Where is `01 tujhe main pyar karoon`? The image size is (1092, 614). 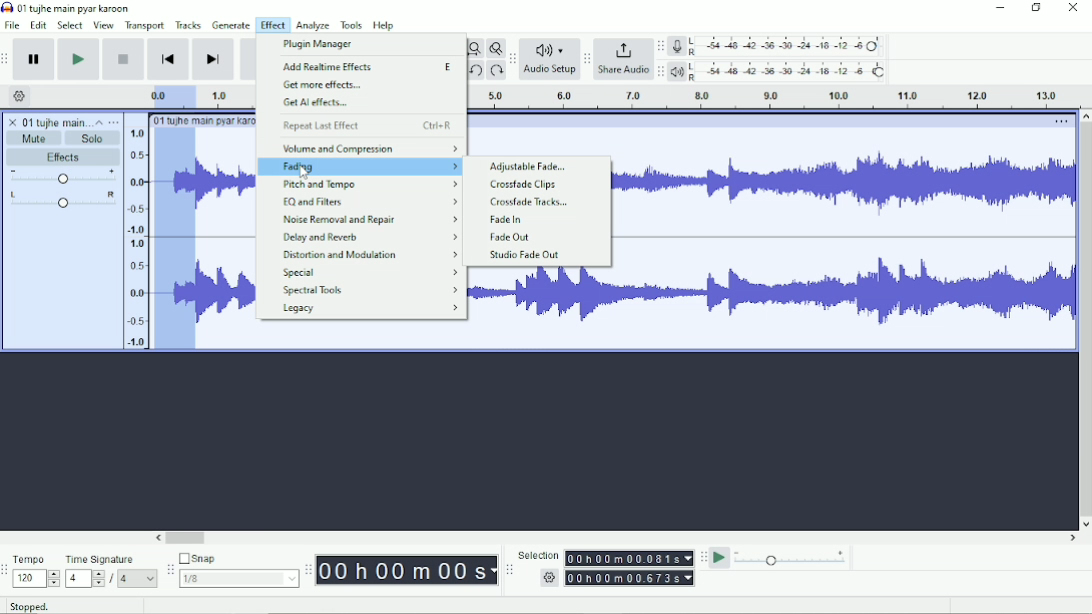 01 tujhe main pyar karoon is located at coordinates (205, 120).